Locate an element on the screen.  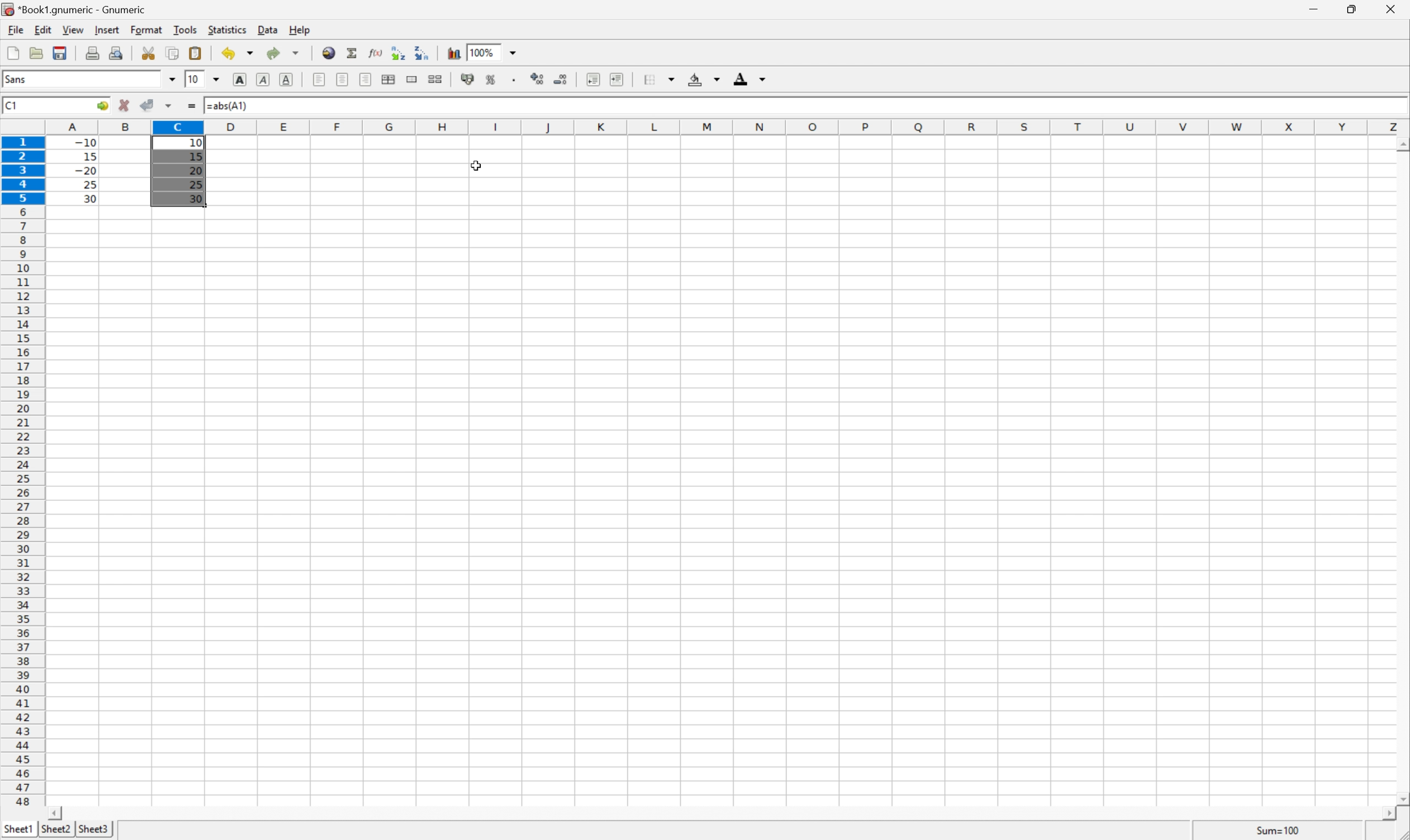
View is located at coordinates (73, 30).